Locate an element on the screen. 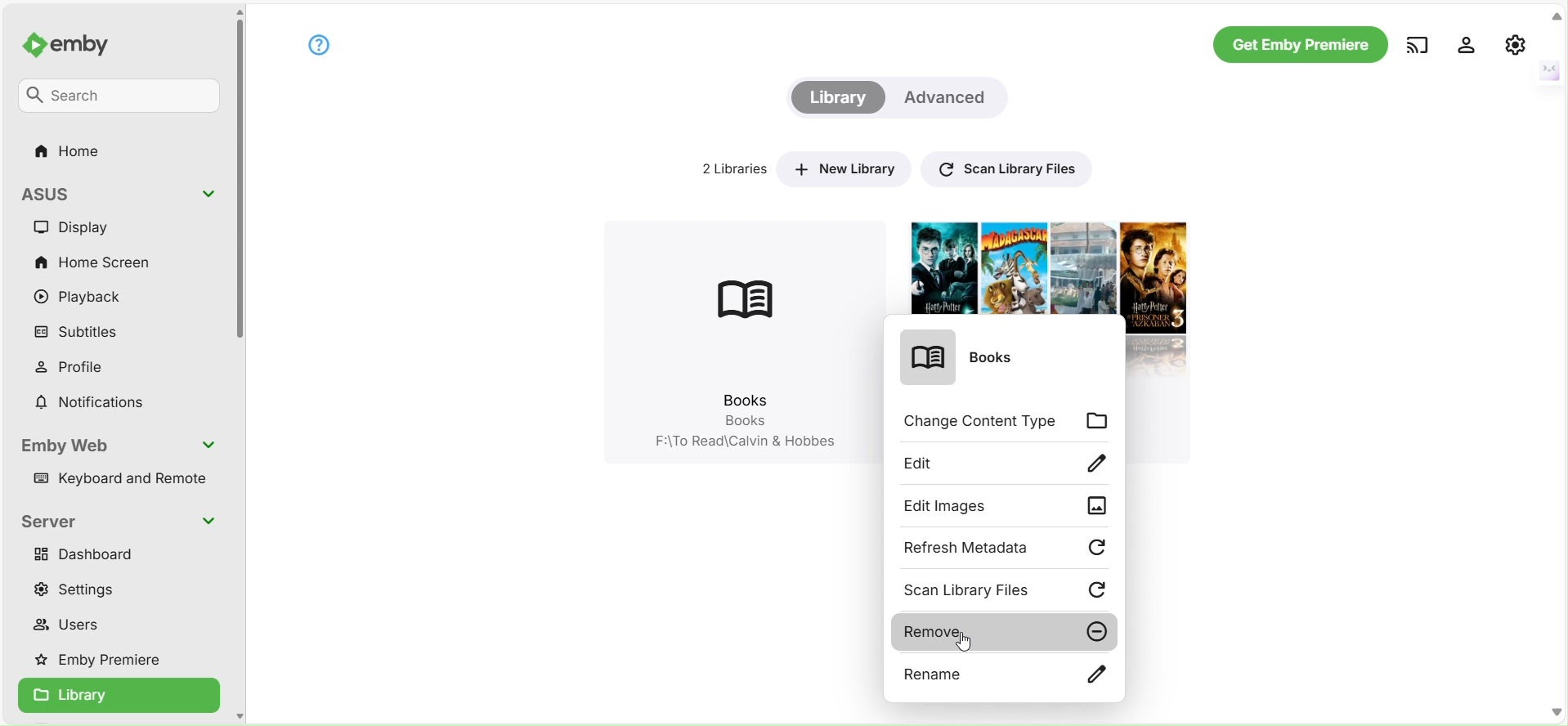 The width and height of the screenshot is (1568, 726). collapse is located at coordinates (1548, 69).